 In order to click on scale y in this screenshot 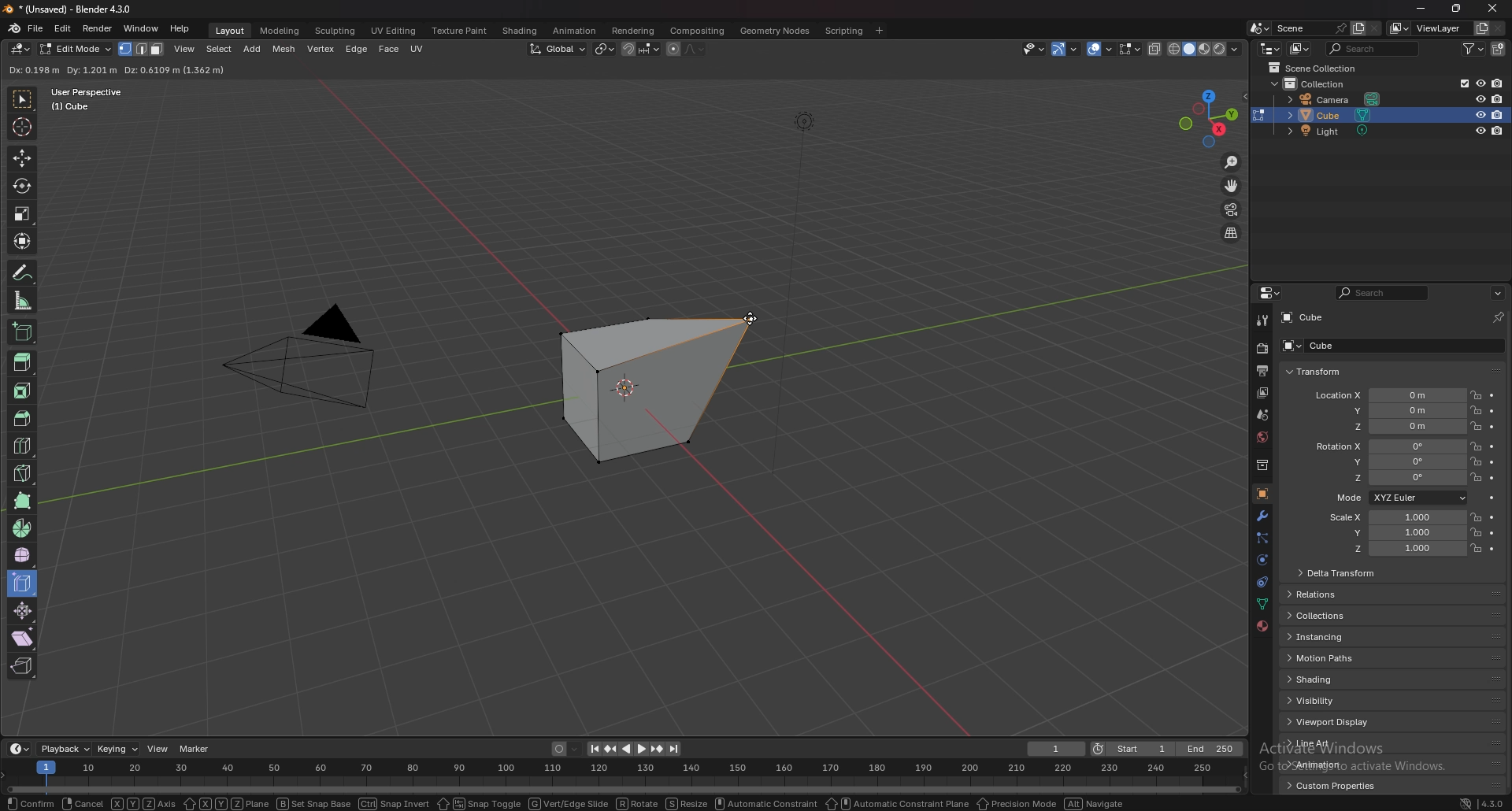, I will do `click(1396, 533)`.